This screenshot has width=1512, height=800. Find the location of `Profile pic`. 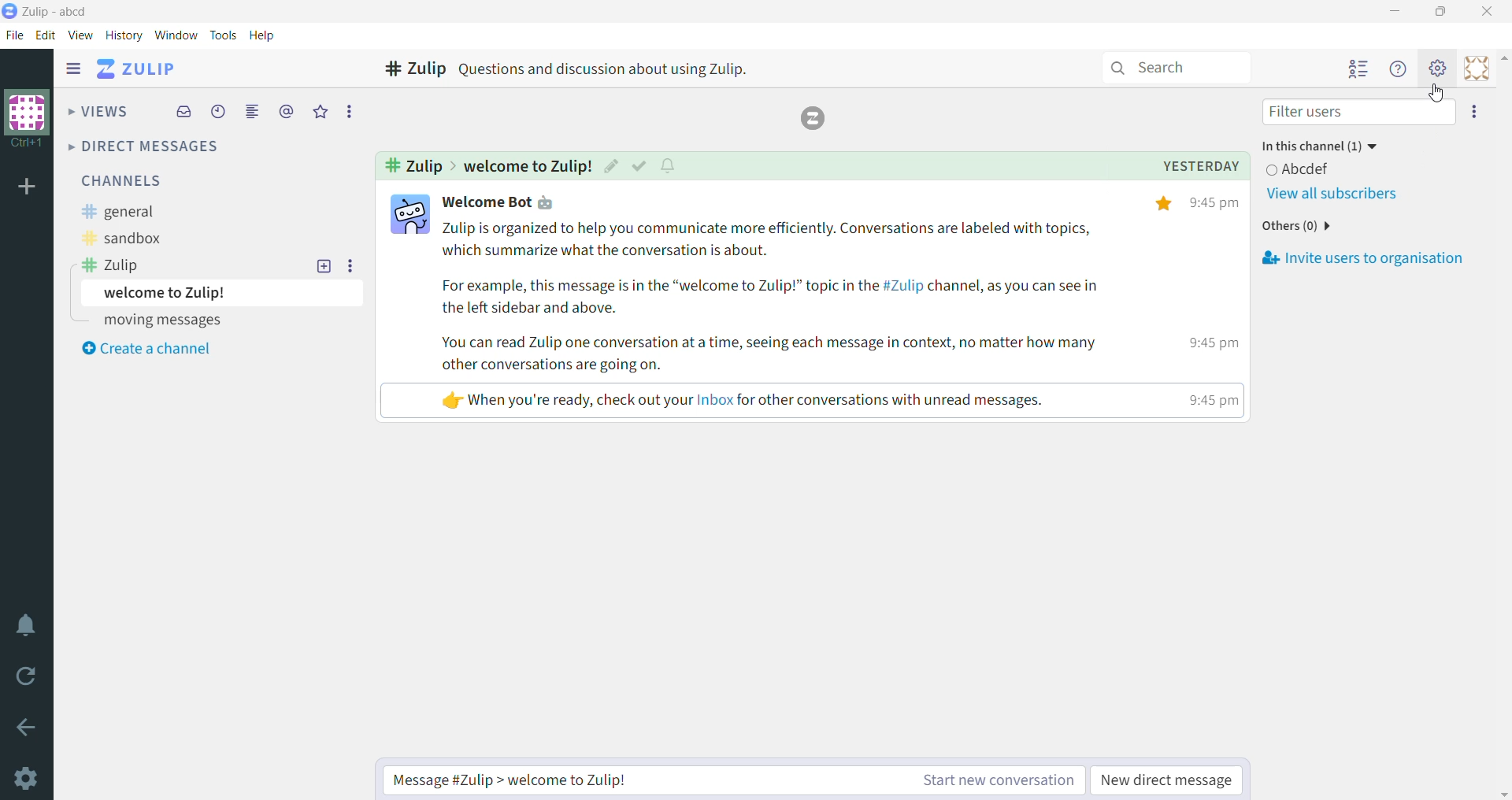

Profile pic is located at coordinates (409, 213).